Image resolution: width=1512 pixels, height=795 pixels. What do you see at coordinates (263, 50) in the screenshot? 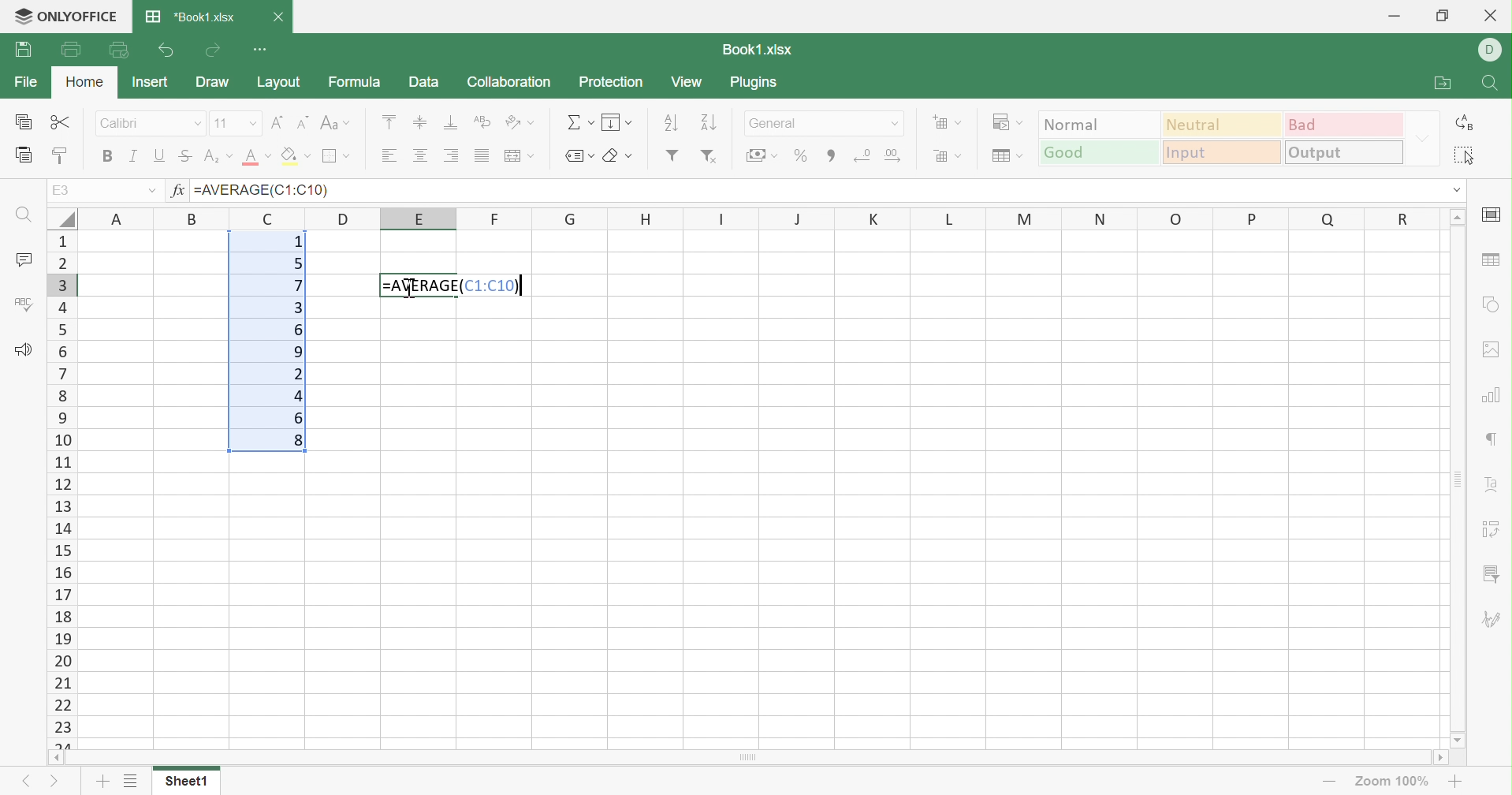
I see `Customize Quick Access Toolbar` at bounding box center [263, 50].